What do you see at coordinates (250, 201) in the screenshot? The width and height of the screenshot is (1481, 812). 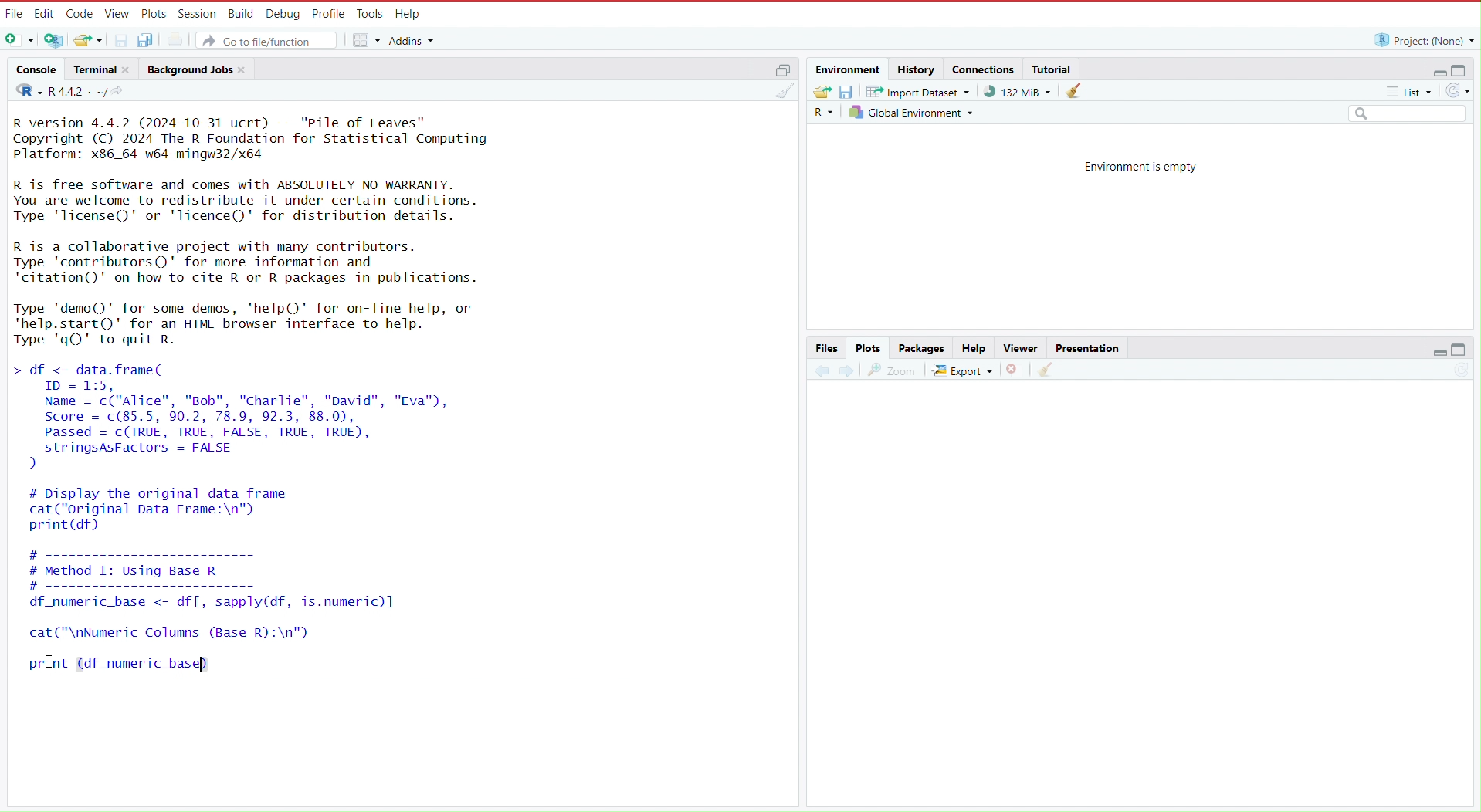 I see `R is free software and comes with ABSOLUTELY NO WARRANTY.
You are welcome to redistribute it under certain conditions.
Type 'licenseQ' or 'lTicence()' for distribution details.` at bounding box center [250, 201].